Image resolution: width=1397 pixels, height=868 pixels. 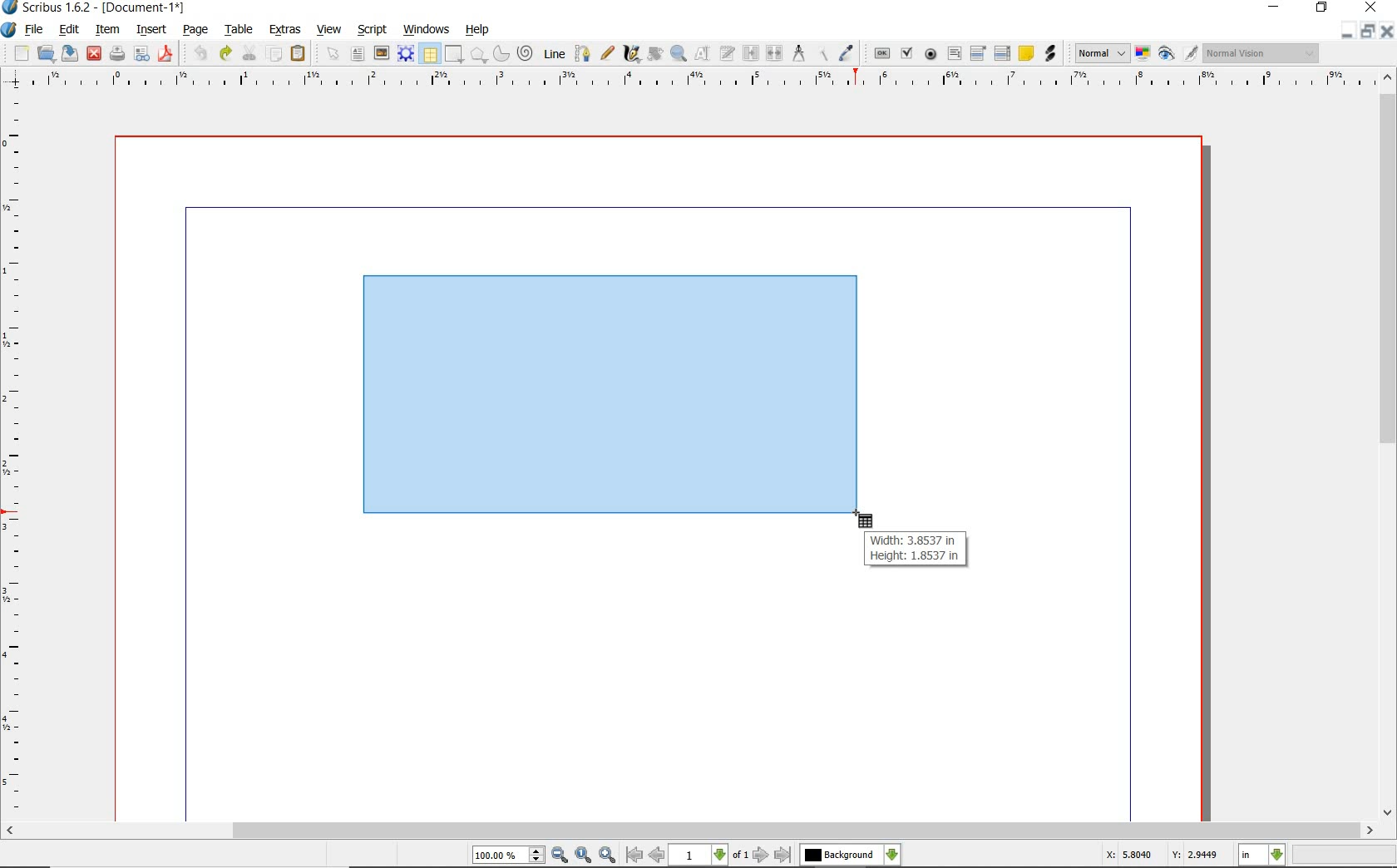 What do you see at coordinates (784, 855) in the screenshot?
I see `go to last page` at bounding box center [784, 855].